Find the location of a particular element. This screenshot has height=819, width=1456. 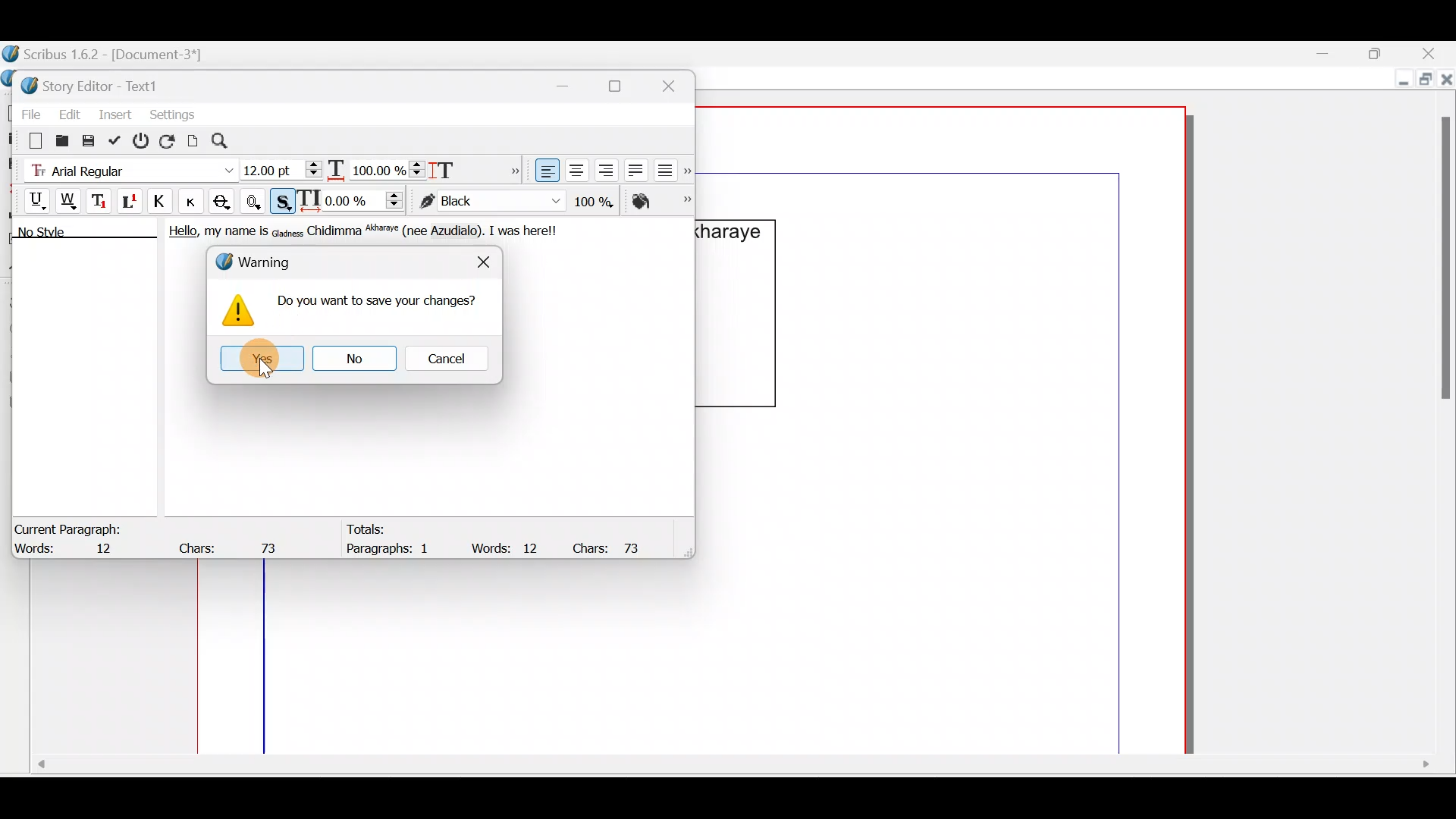

Maximize is located at coordinates (1423, 81).